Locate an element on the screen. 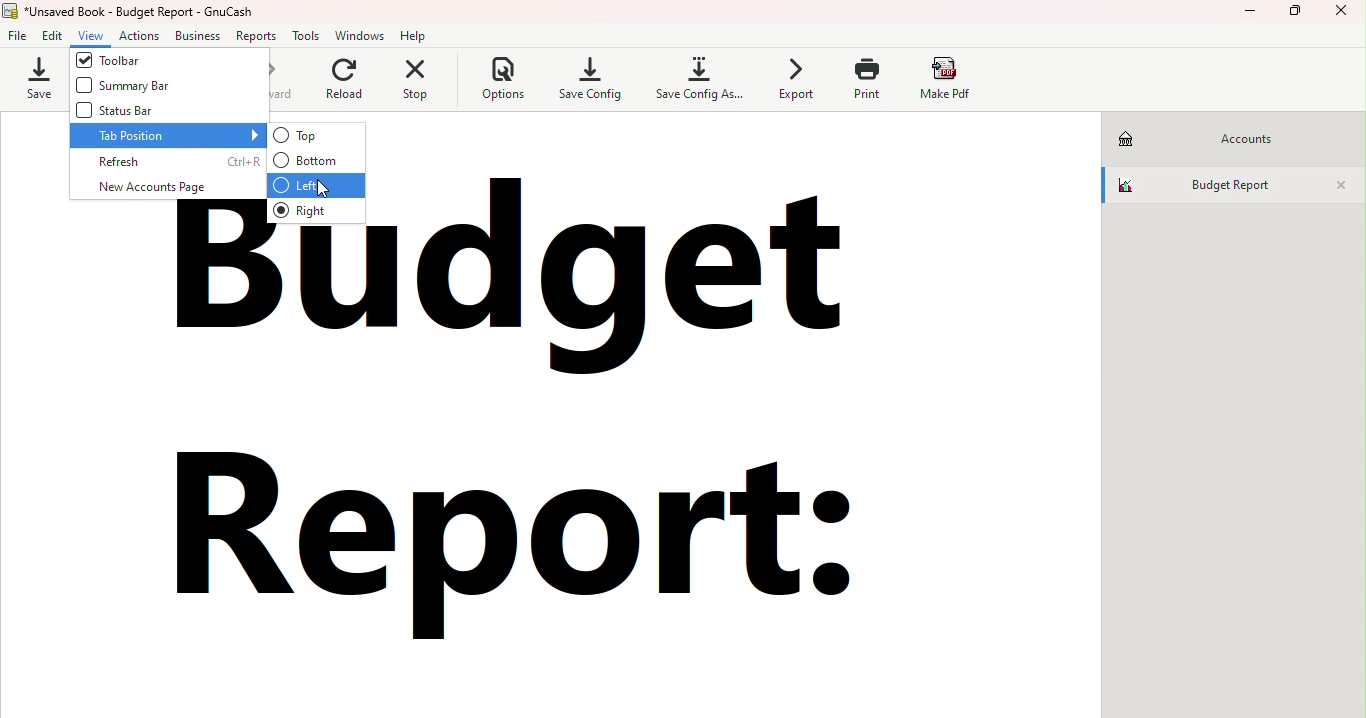  Status bar is located at coordinates (161, 110).